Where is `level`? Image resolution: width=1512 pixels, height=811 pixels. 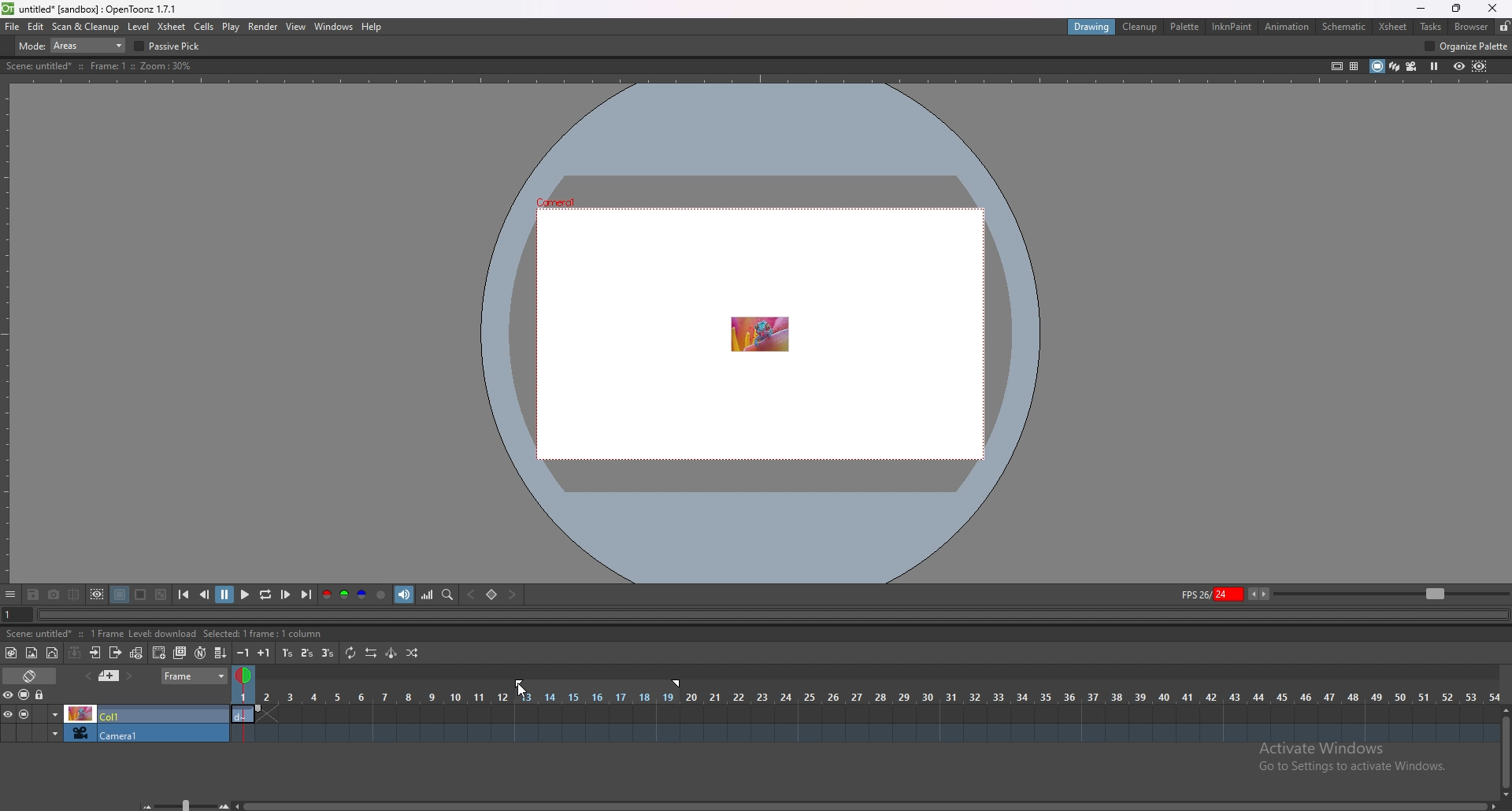 level is located at coordinates (138, 28).